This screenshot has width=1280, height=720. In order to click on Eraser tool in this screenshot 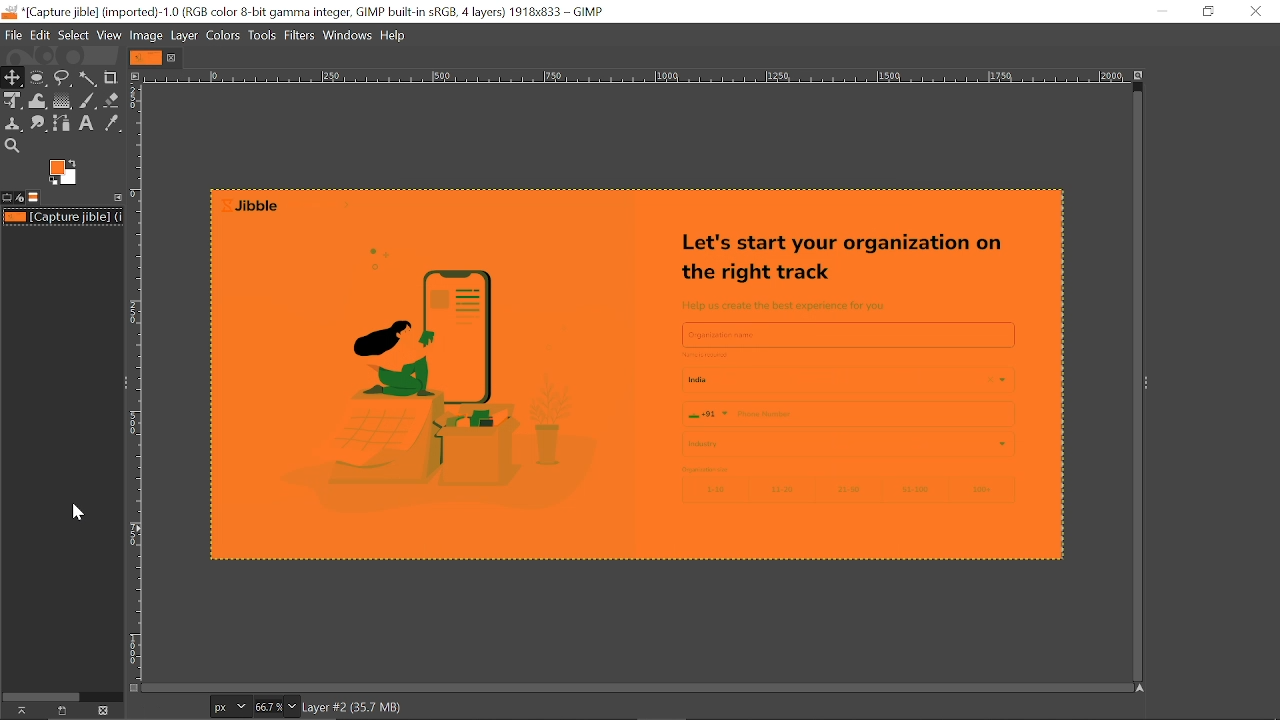, I will do `click(112, 99)`.